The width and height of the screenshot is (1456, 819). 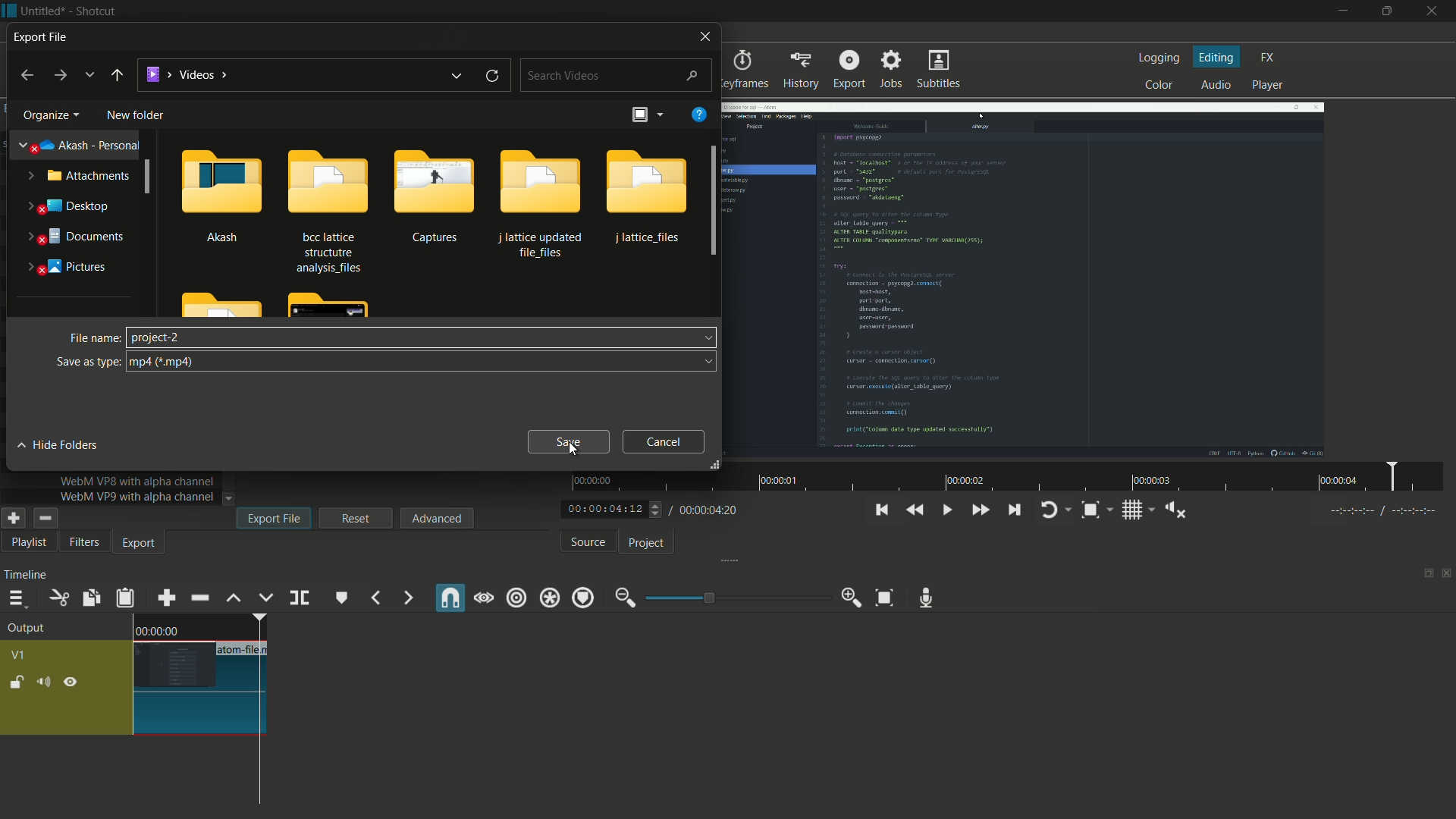 What do you see at coordinates (63, 265) in the screenshot?
I see `pictues` at bounding box center [63, 265].